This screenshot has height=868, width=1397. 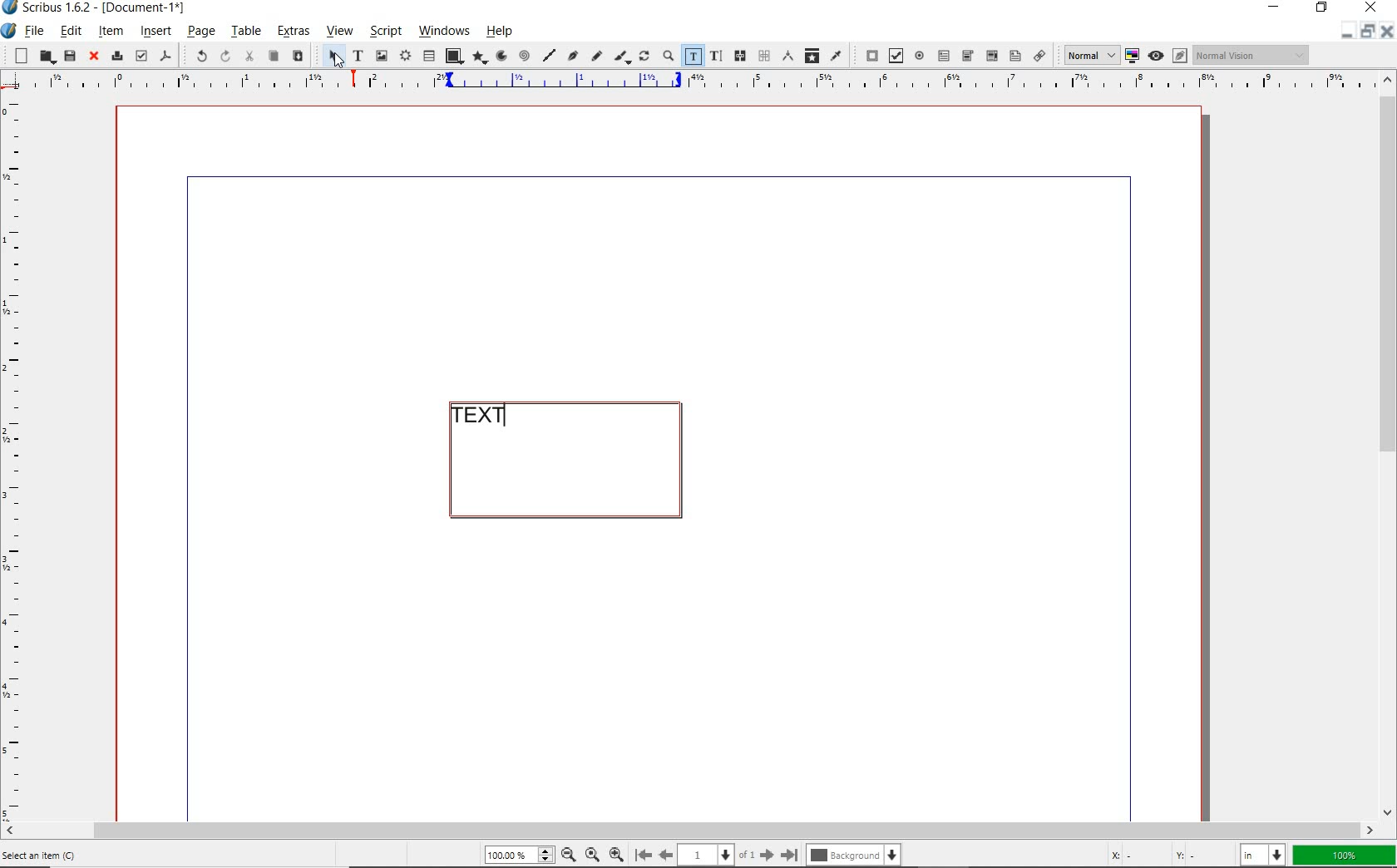 What do you see at coordinates (21, 55) in the screenshot?
I see `new` at bounding box center [21, 55].